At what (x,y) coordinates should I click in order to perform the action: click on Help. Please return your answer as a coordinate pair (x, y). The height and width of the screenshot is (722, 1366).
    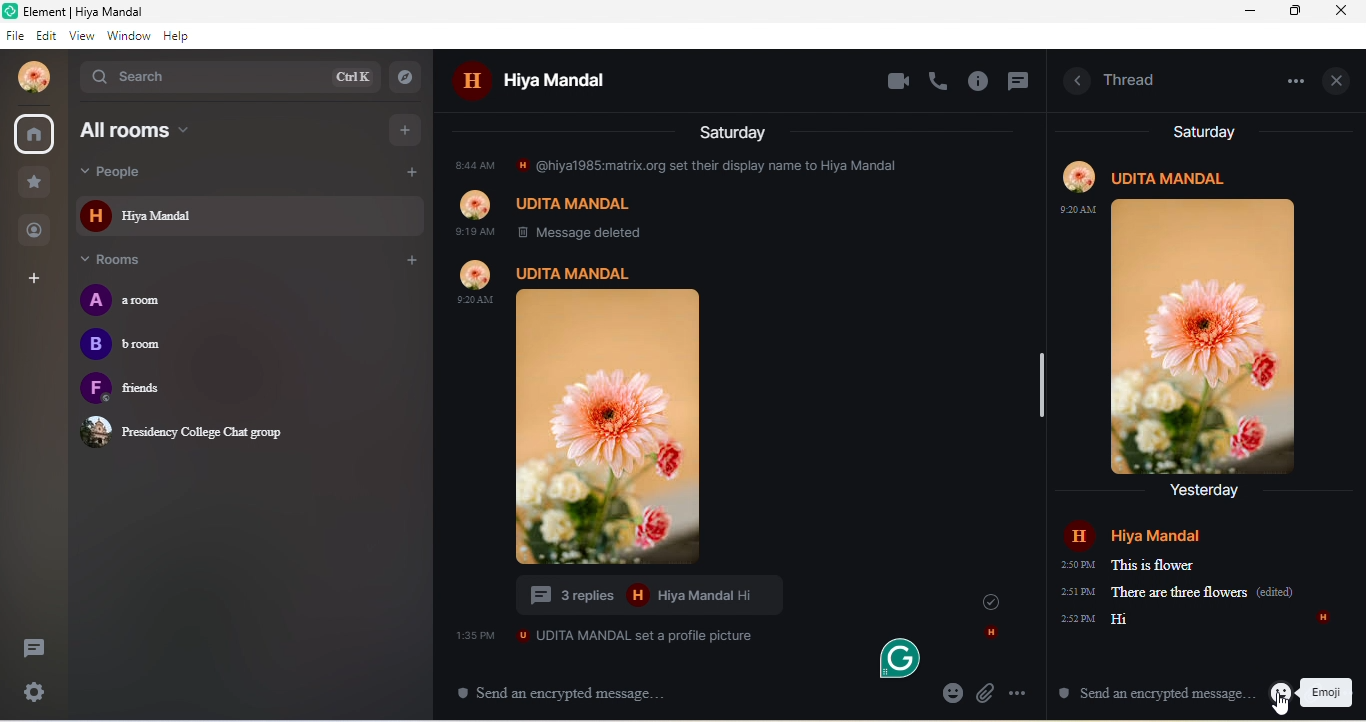
    Looking at the image, I should click on (177, 36).